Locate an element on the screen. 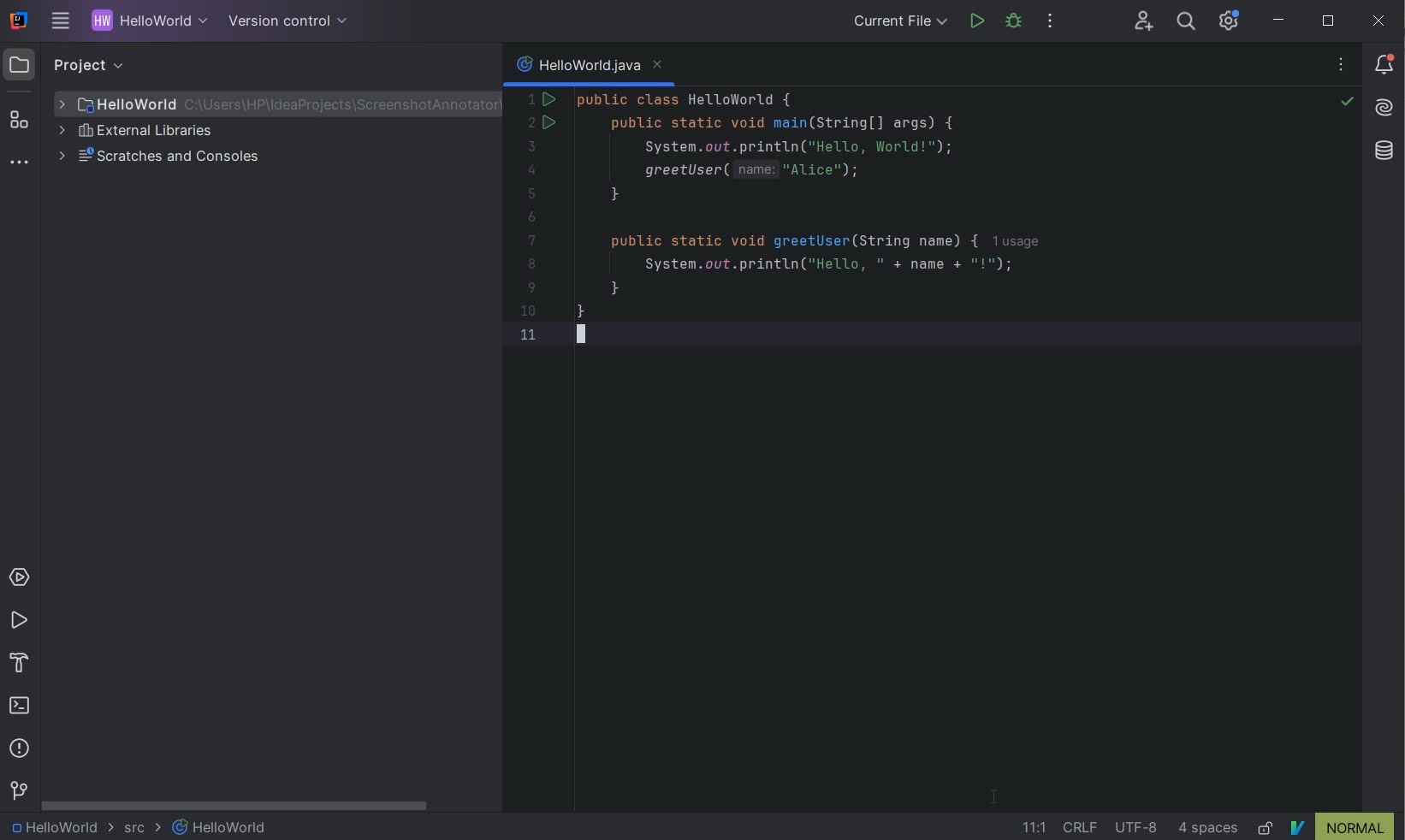 Image resolution: width=1405 pixels, height=840 pixels. LINE SEPARATOR is located at coordinates (1083, 827).